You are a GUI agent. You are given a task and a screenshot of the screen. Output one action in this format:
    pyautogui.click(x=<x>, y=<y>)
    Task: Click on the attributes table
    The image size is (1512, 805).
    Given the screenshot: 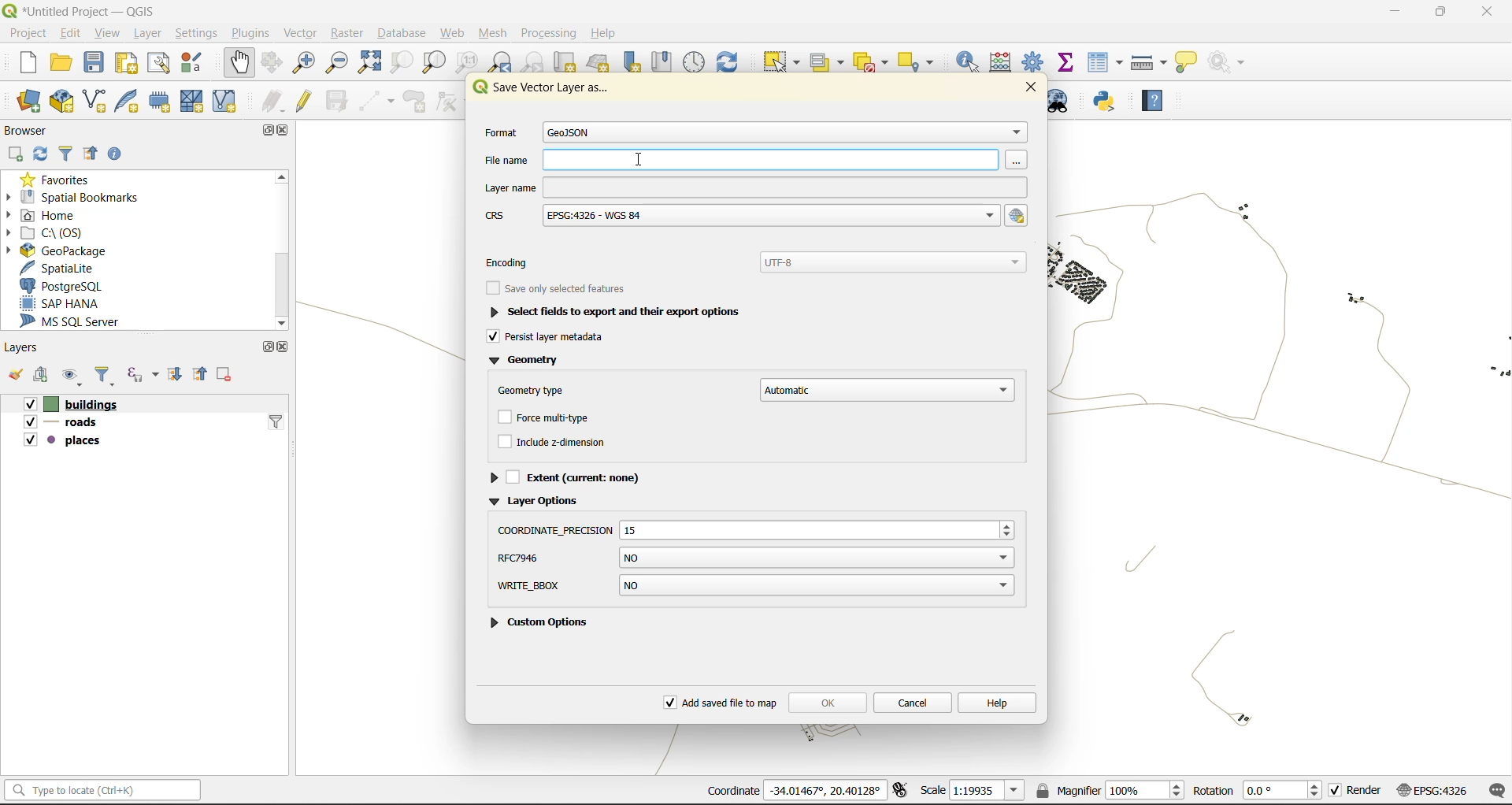 What is the action you would take?
    pyautogui.click(x=1105, y=64)
    